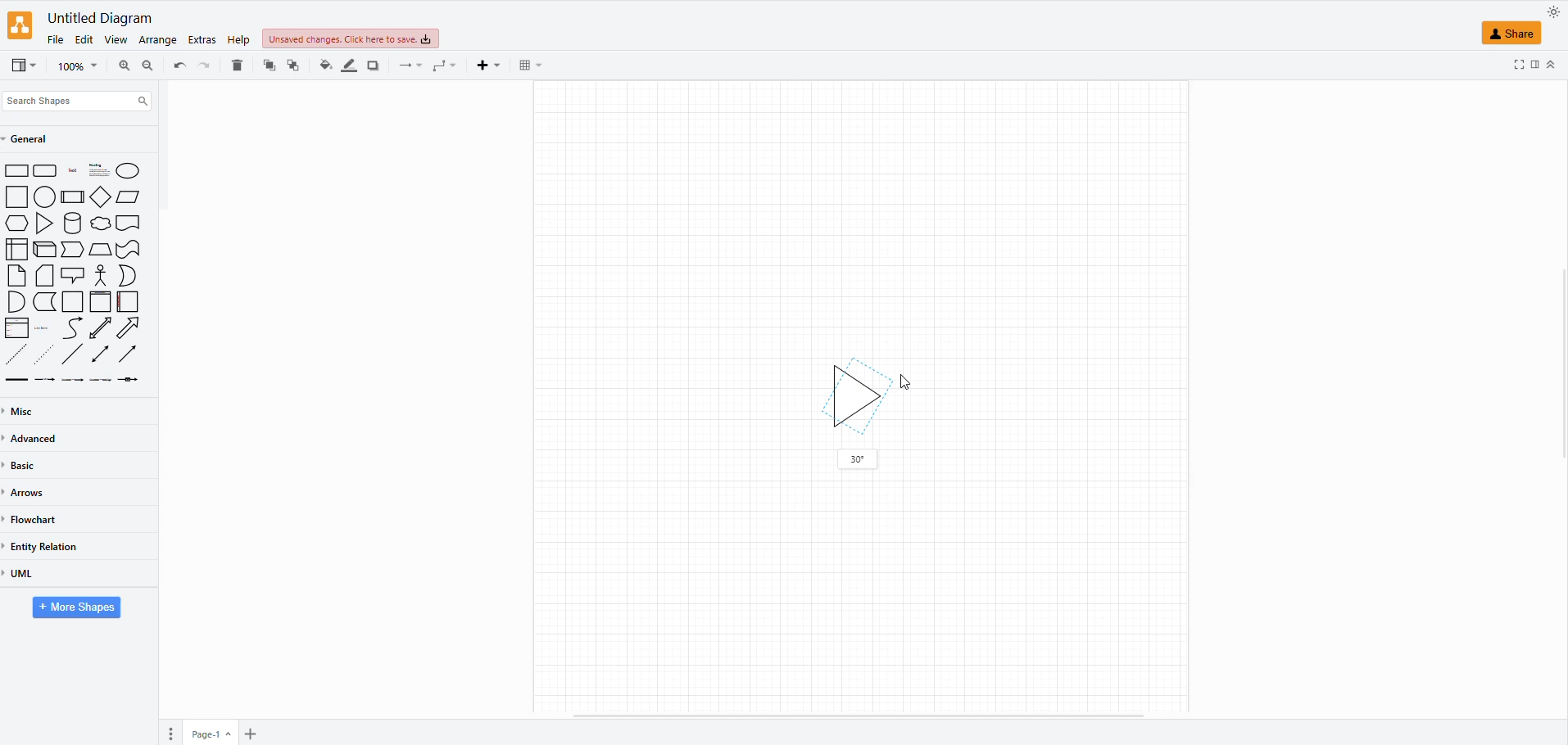 This screenshot has height=745, width=1568. I want to click on shape, so click(1520, 34).